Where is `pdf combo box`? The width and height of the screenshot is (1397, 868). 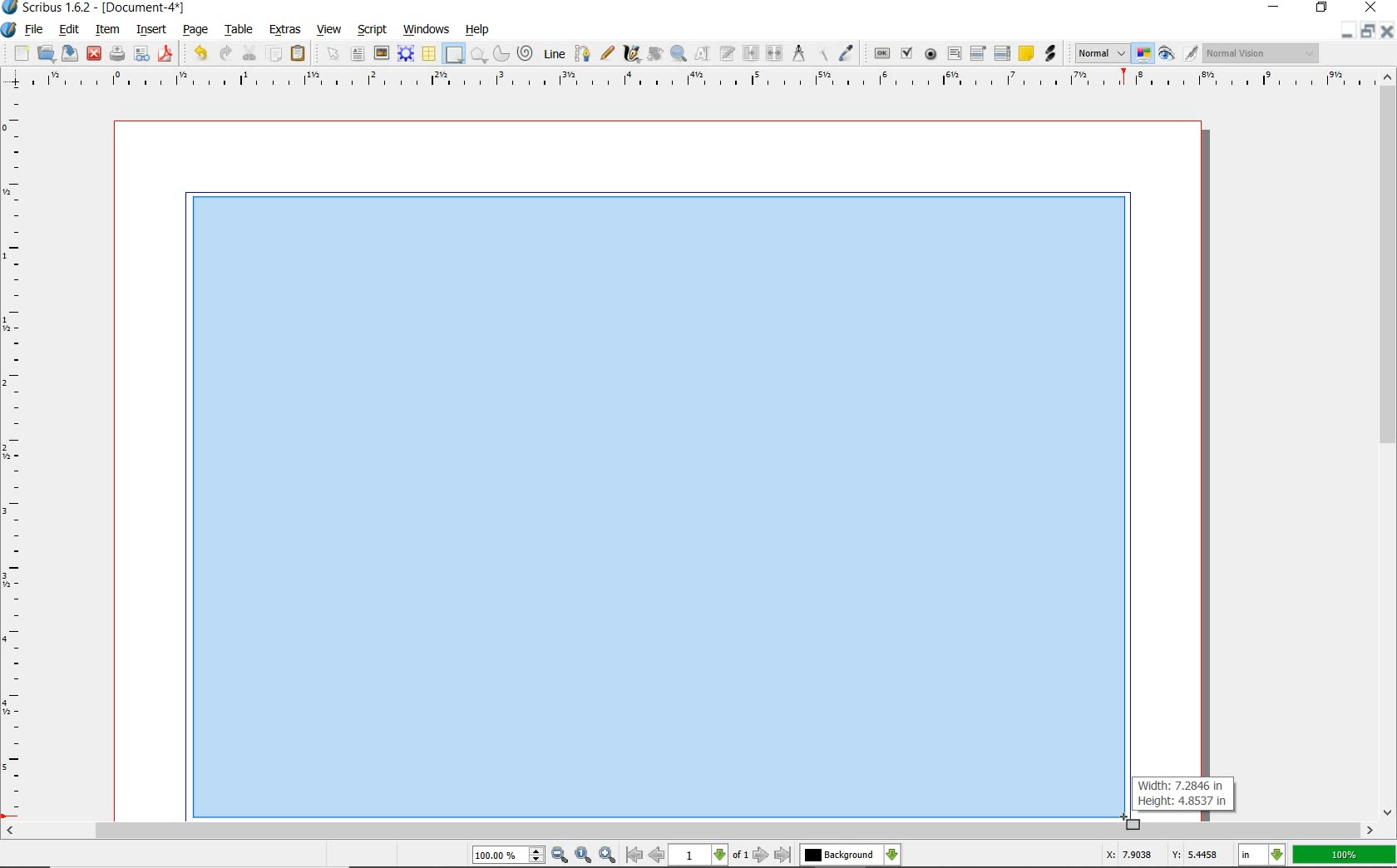
pdf combo box is located at coordinates (977, 52).